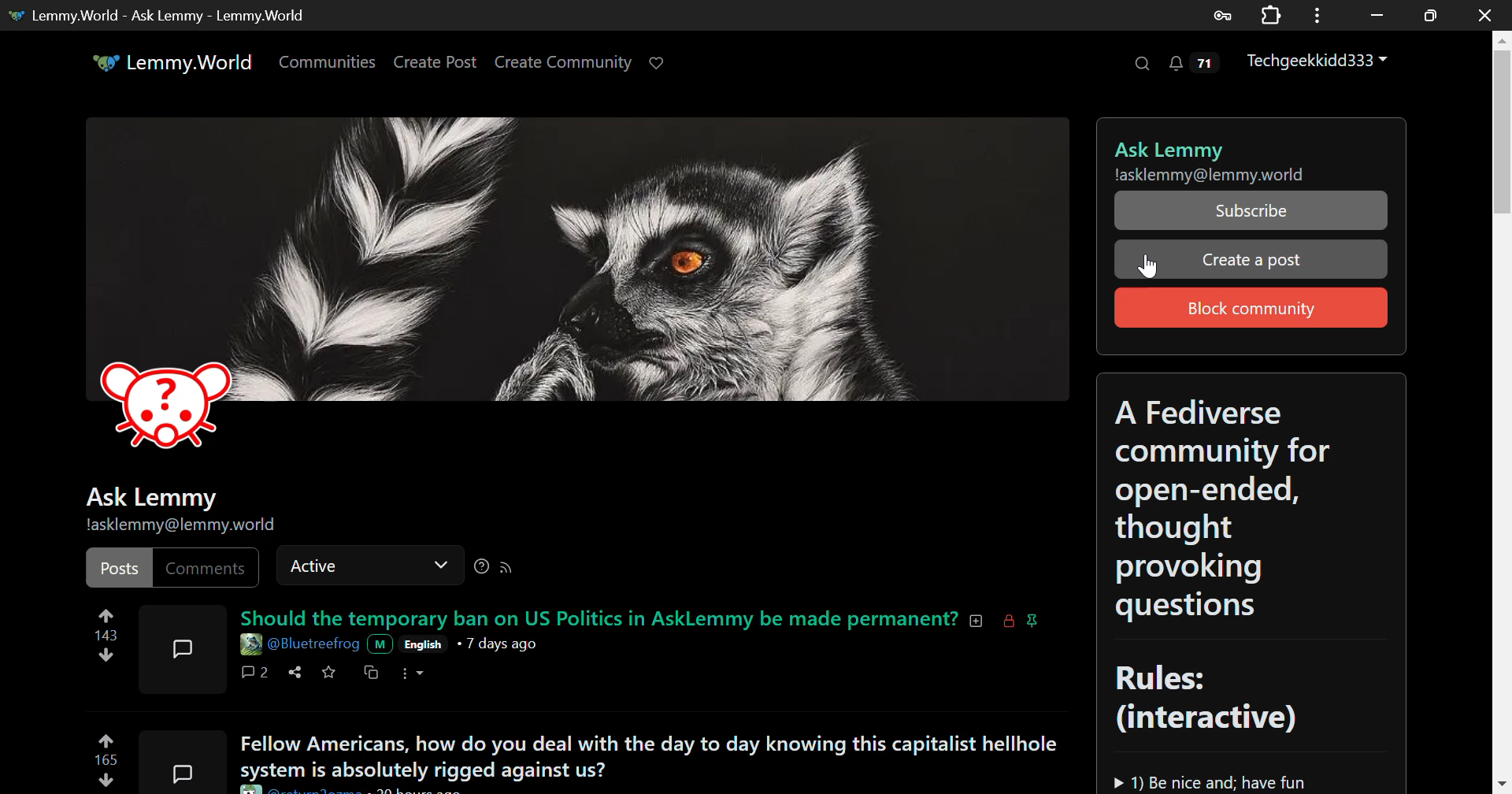 This screenshot has height=794, width=1512. Describe the element at coordinates (564, 64) in the screenshot. I see `Create Community` at that location.